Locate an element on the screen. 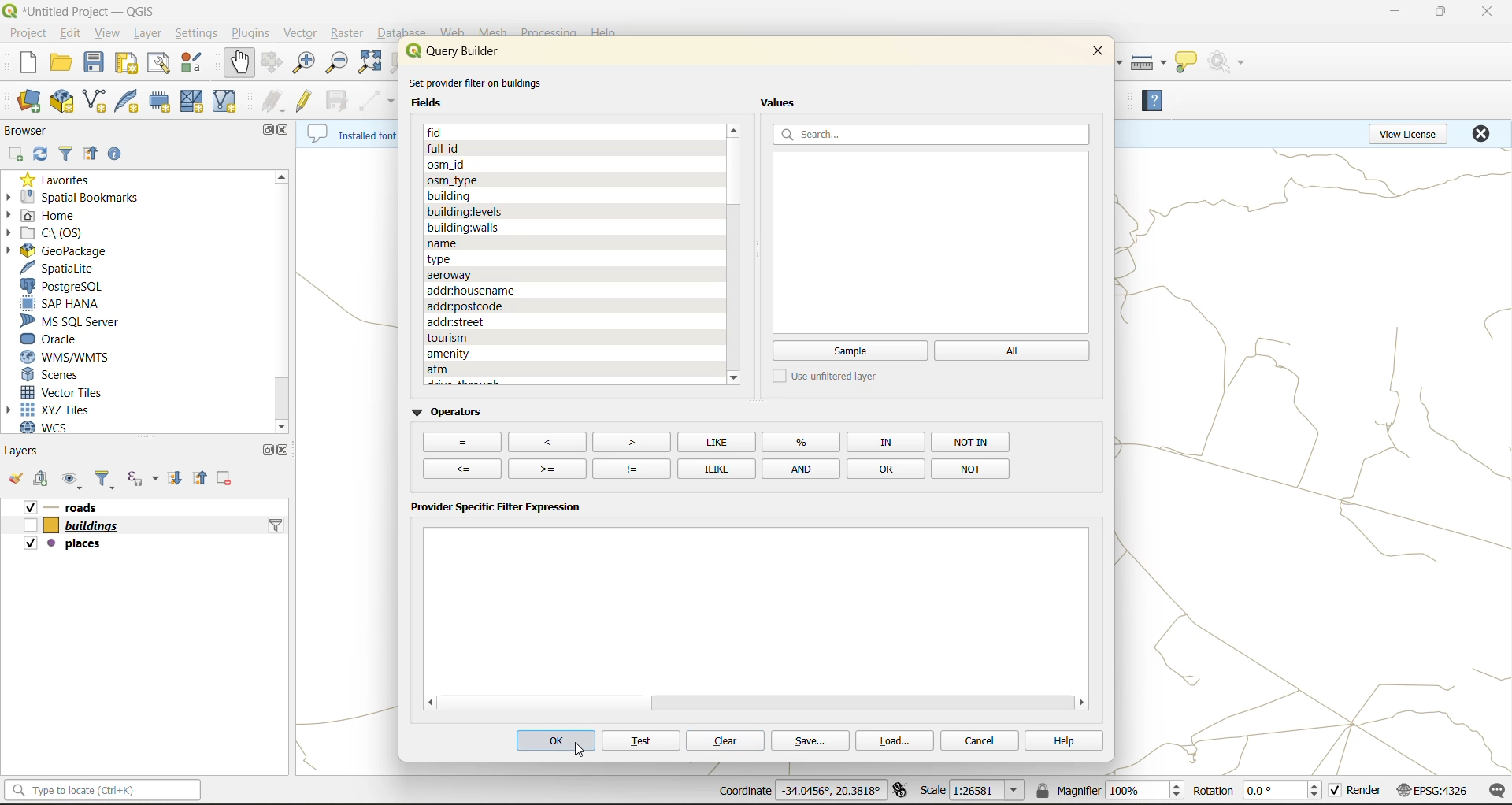 The height and width of the screenshot is (805, 1512). fields is located at coordinates (435, 103).